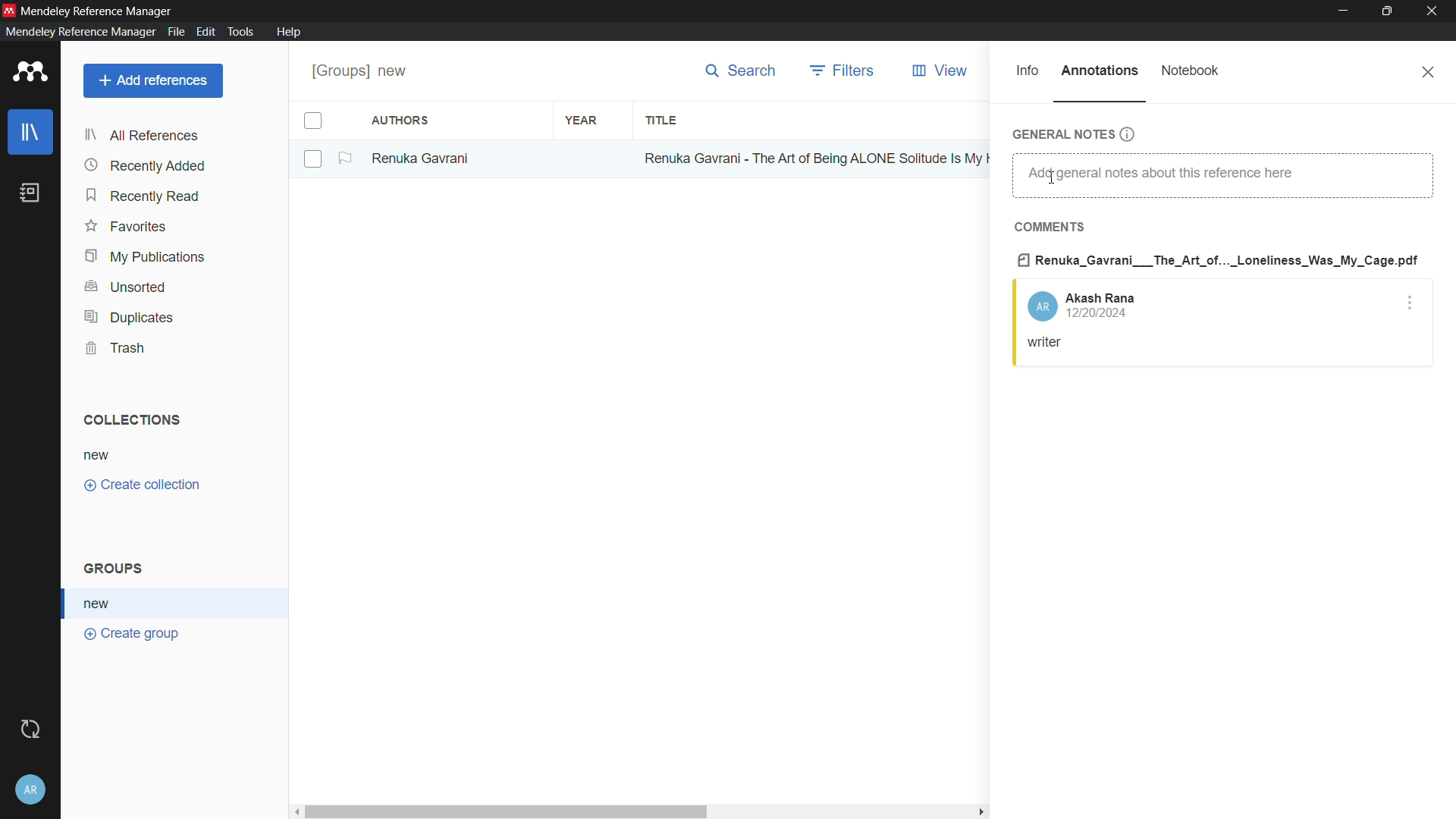 The height and width of the screenshot is (819, 1456). What do you see at coordinates (145, 485) in the screenshot?
I see `create collection` at bounding box center [145, 485].